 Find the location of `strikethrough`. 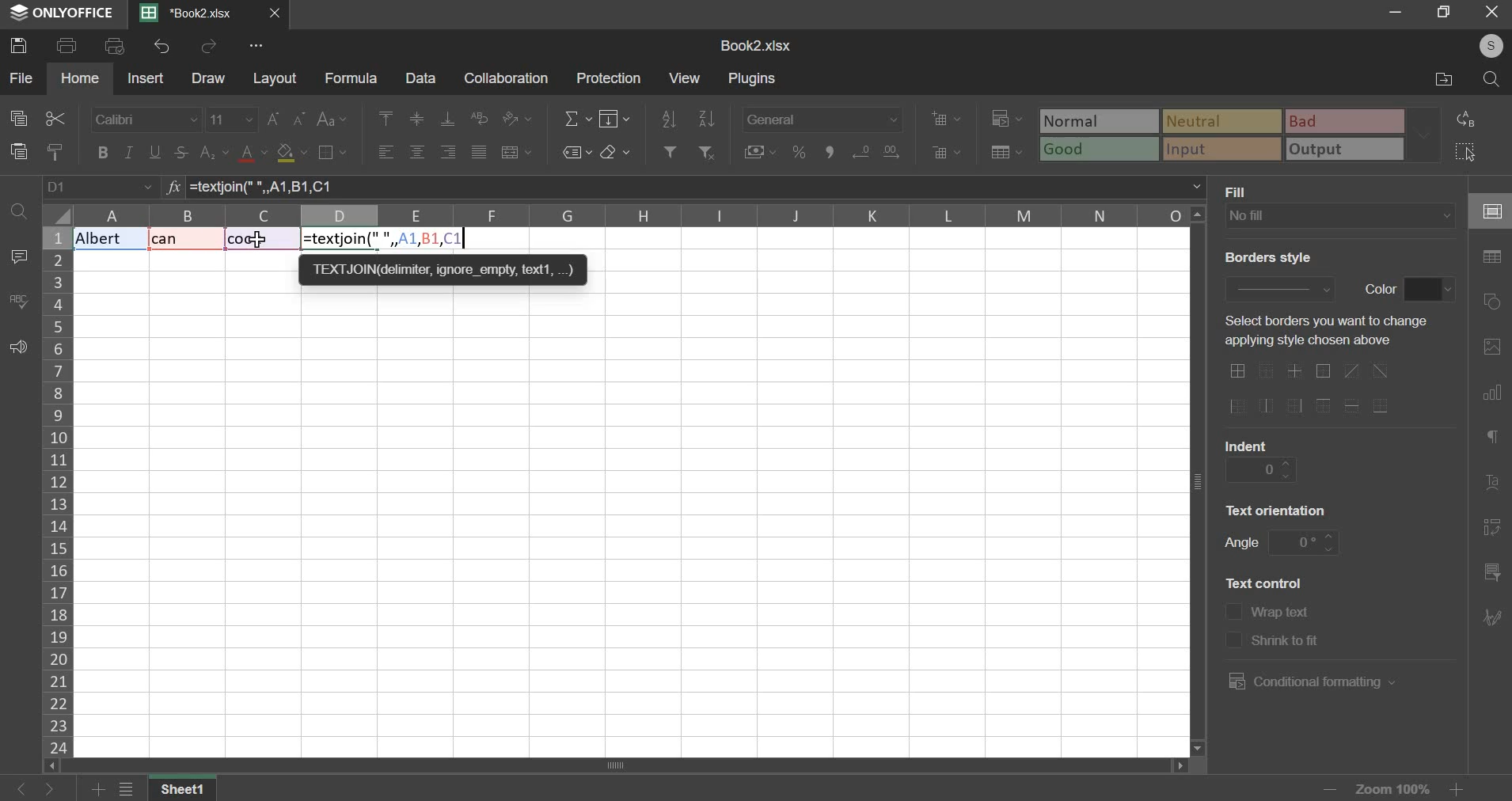

strikethrough is located at coordinates (180, 152).